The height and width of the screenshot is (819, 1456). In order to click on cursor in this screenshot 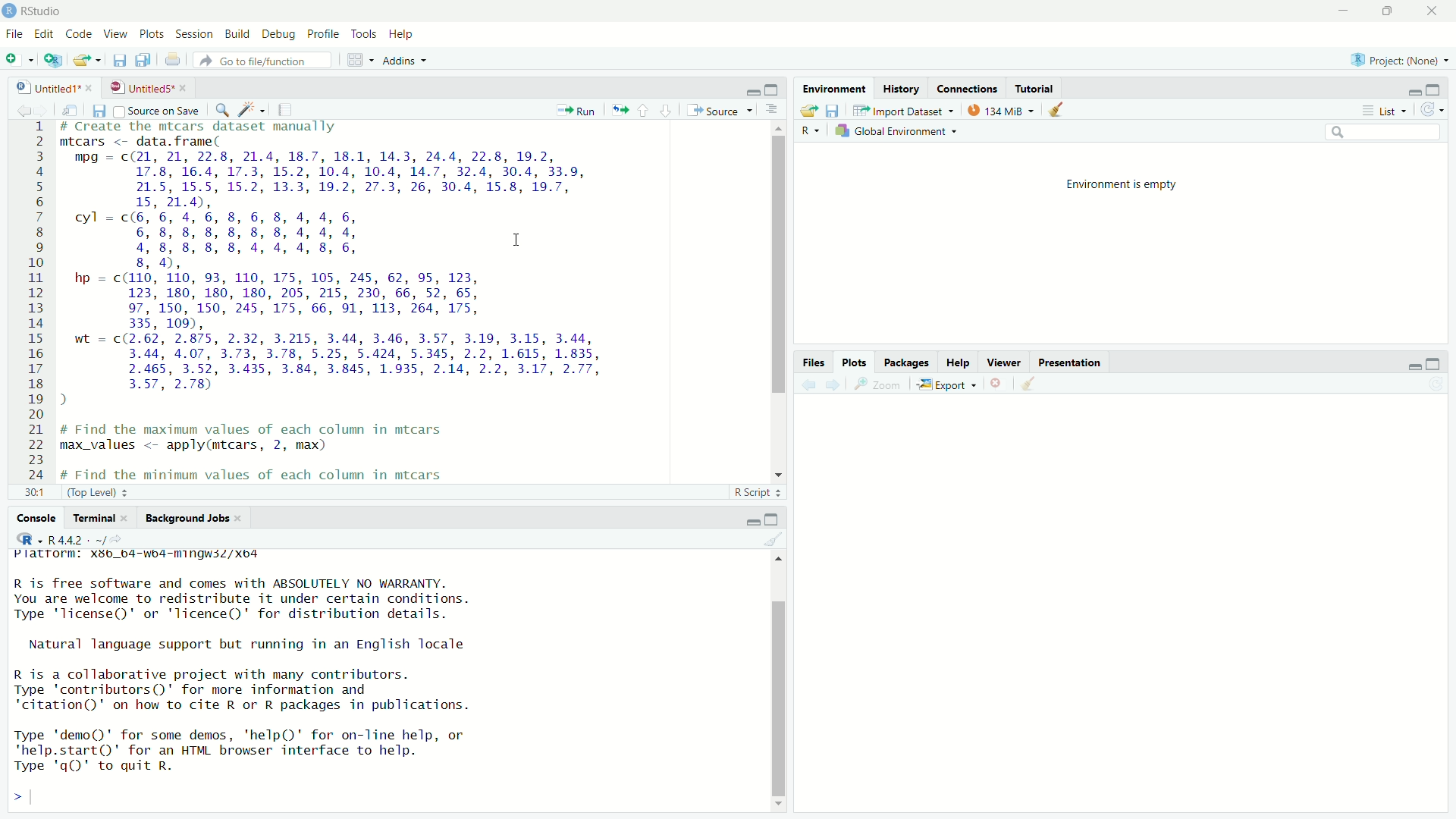, I will do `click(521, 243)`.